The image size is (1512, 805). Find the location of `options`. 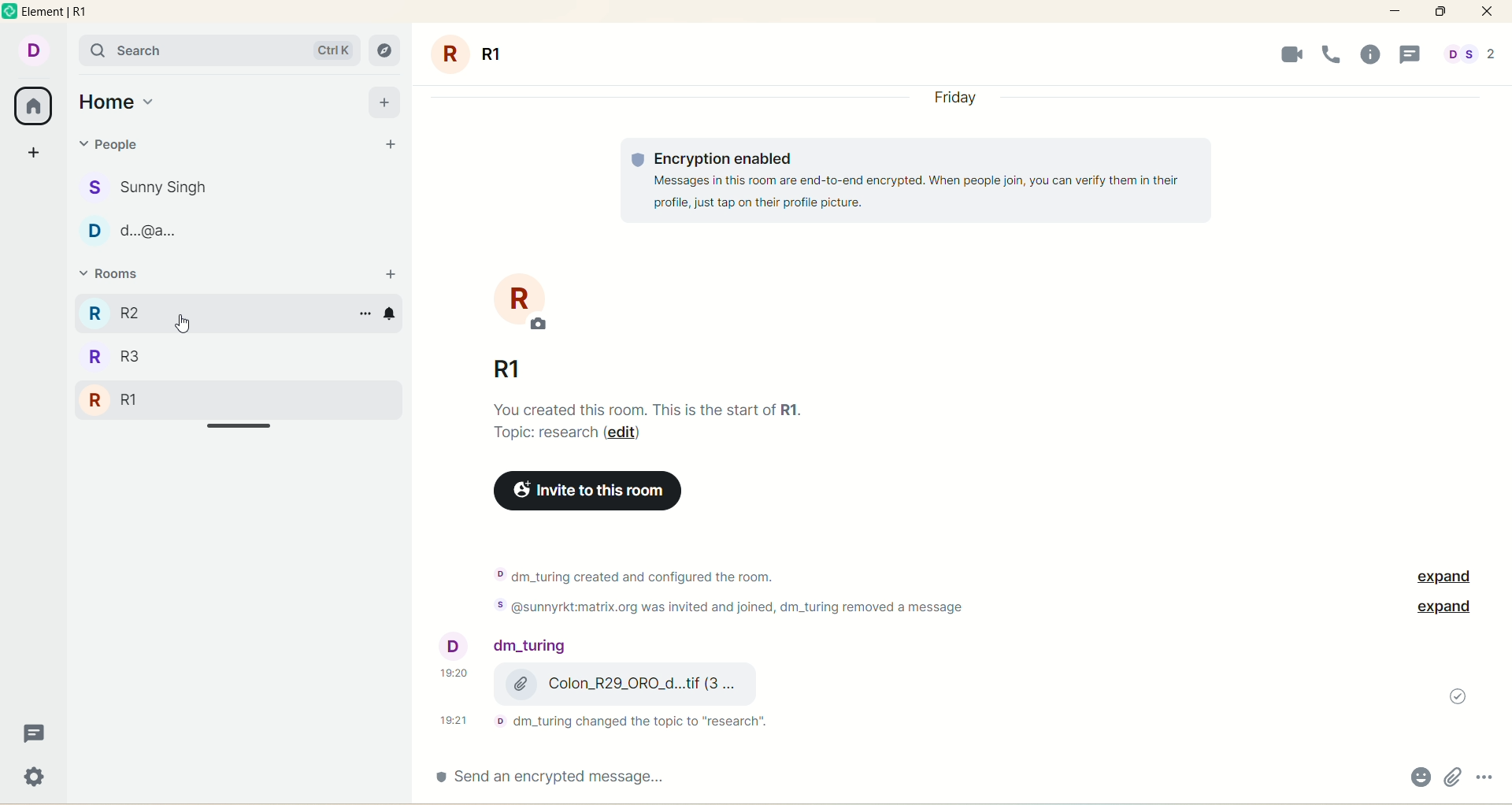

options is located at coordinates (361, 314).